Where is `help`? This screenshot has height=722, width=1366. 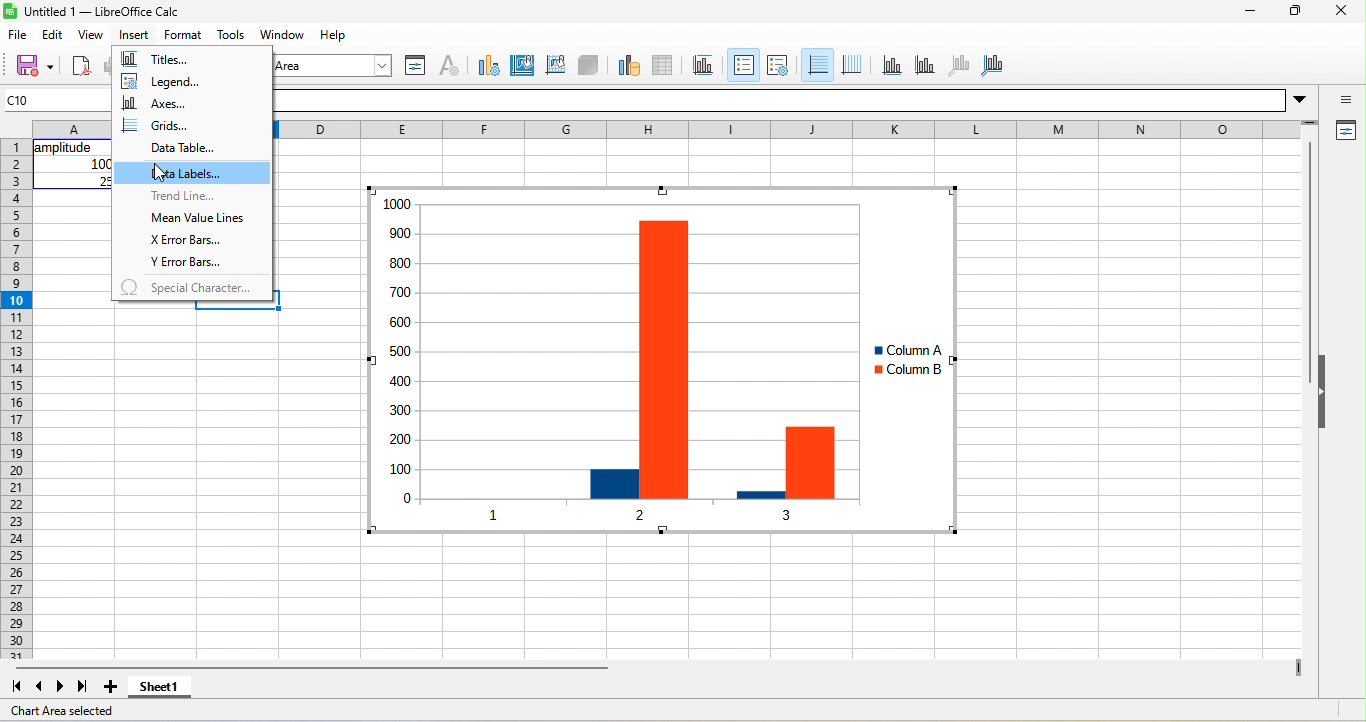 help is located at coordinates (335, 34).